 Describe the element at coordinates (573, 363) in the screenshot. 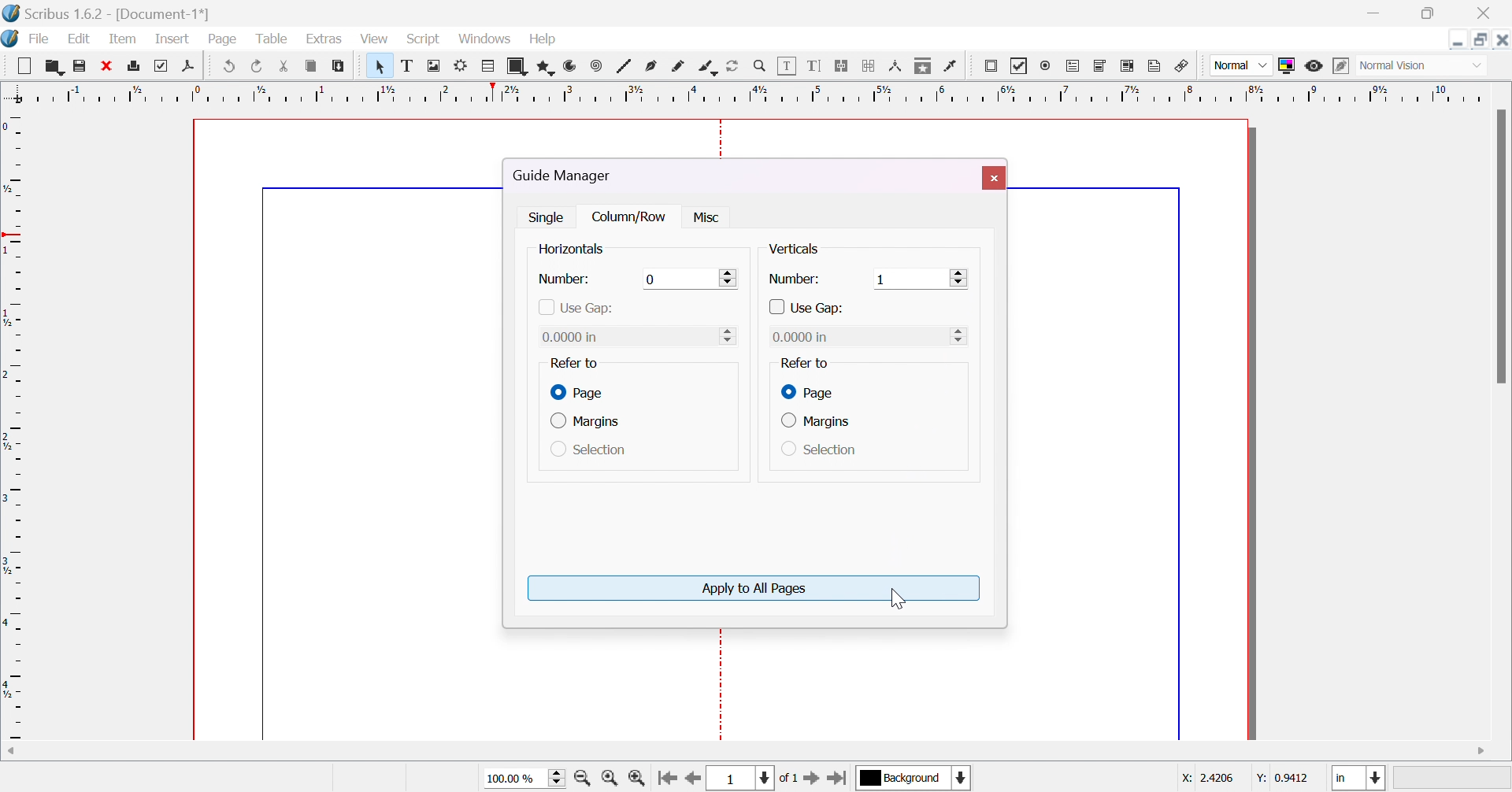

I see `refer to` at that location.